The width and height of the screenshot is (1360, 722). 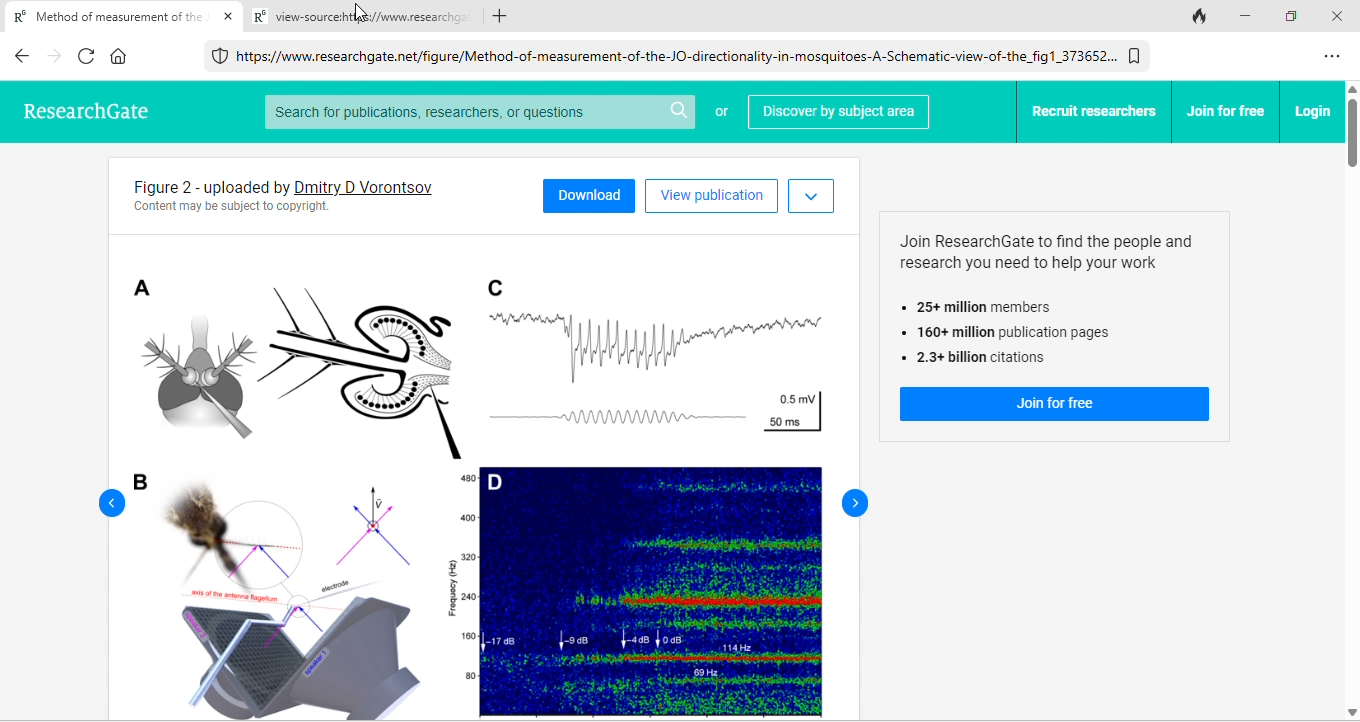 I want to click on « 25+ million members, so click(x=988, y=307).